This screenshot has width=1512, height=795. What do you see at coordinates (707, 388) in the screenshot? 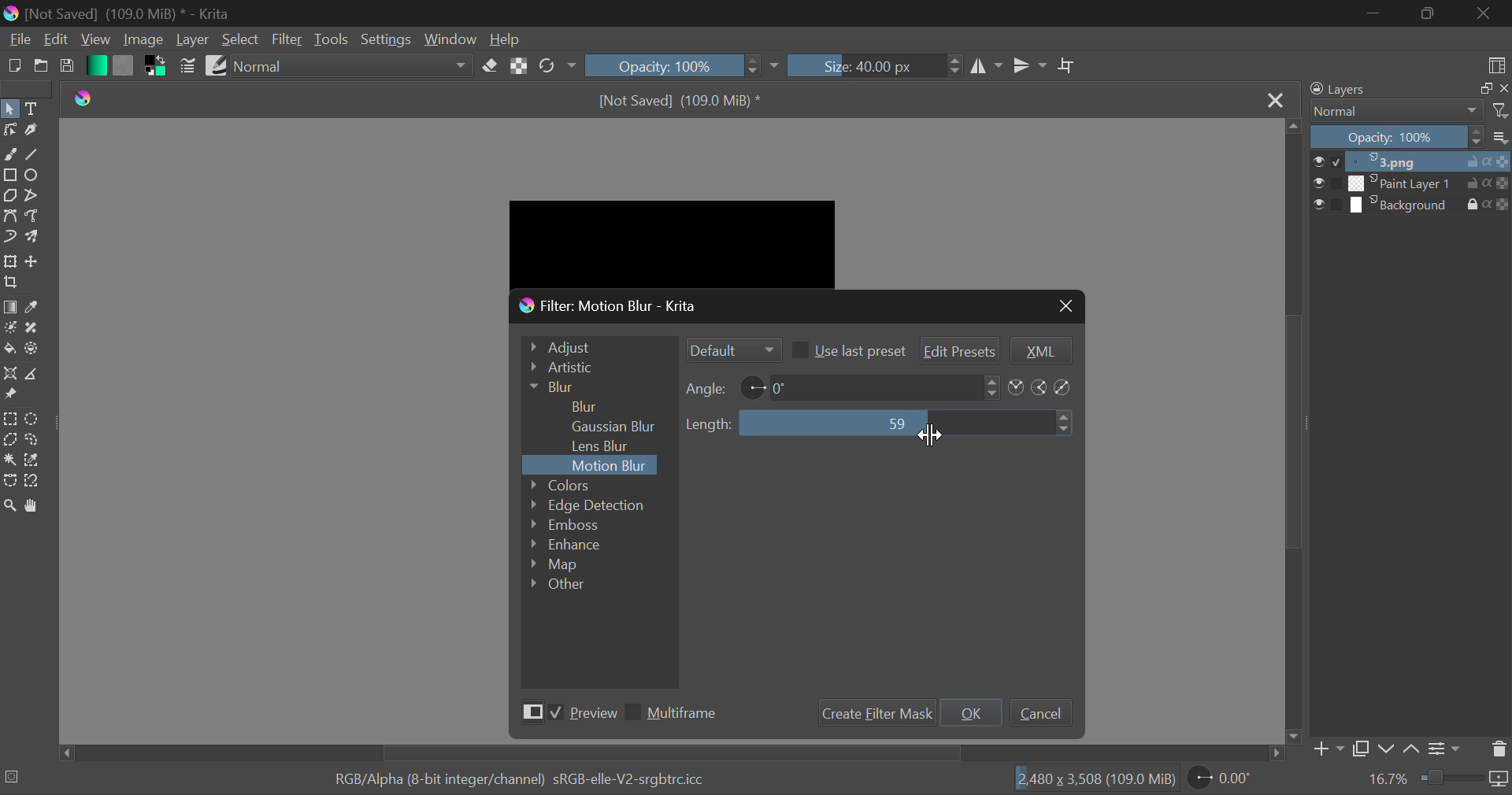
I see `Angle` at bounding box center [707, 388].